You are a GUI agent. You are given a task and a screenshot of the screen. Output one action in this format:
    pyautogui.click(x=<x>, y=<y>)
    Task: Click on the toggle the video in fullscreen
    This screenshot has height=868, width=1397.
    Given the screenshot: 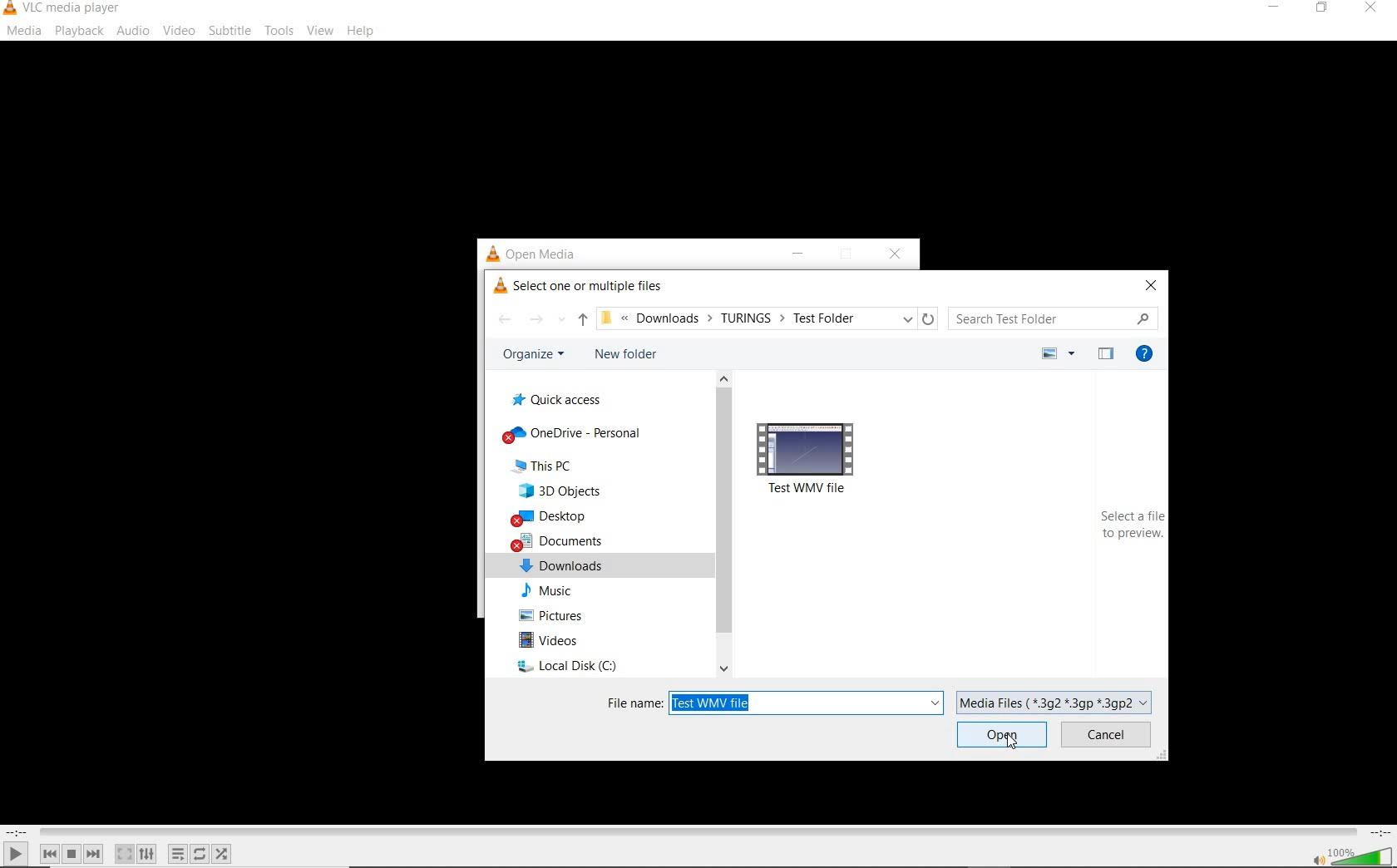 What is the action you would take?
    pyautogui.click(x=124, y=854)
    